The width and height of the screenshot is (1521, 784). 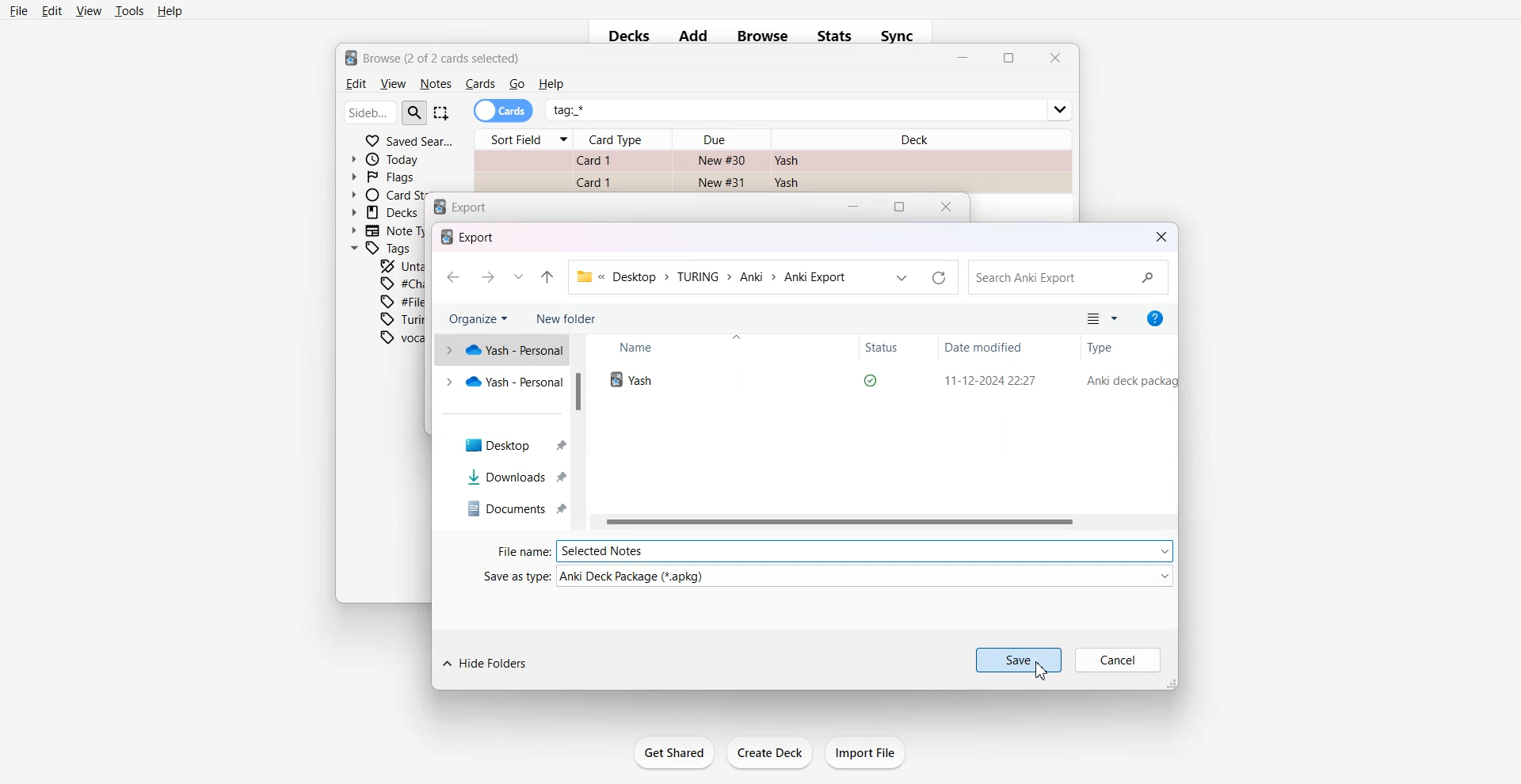 I want to click on Maximize, so click(x=902, y=206).